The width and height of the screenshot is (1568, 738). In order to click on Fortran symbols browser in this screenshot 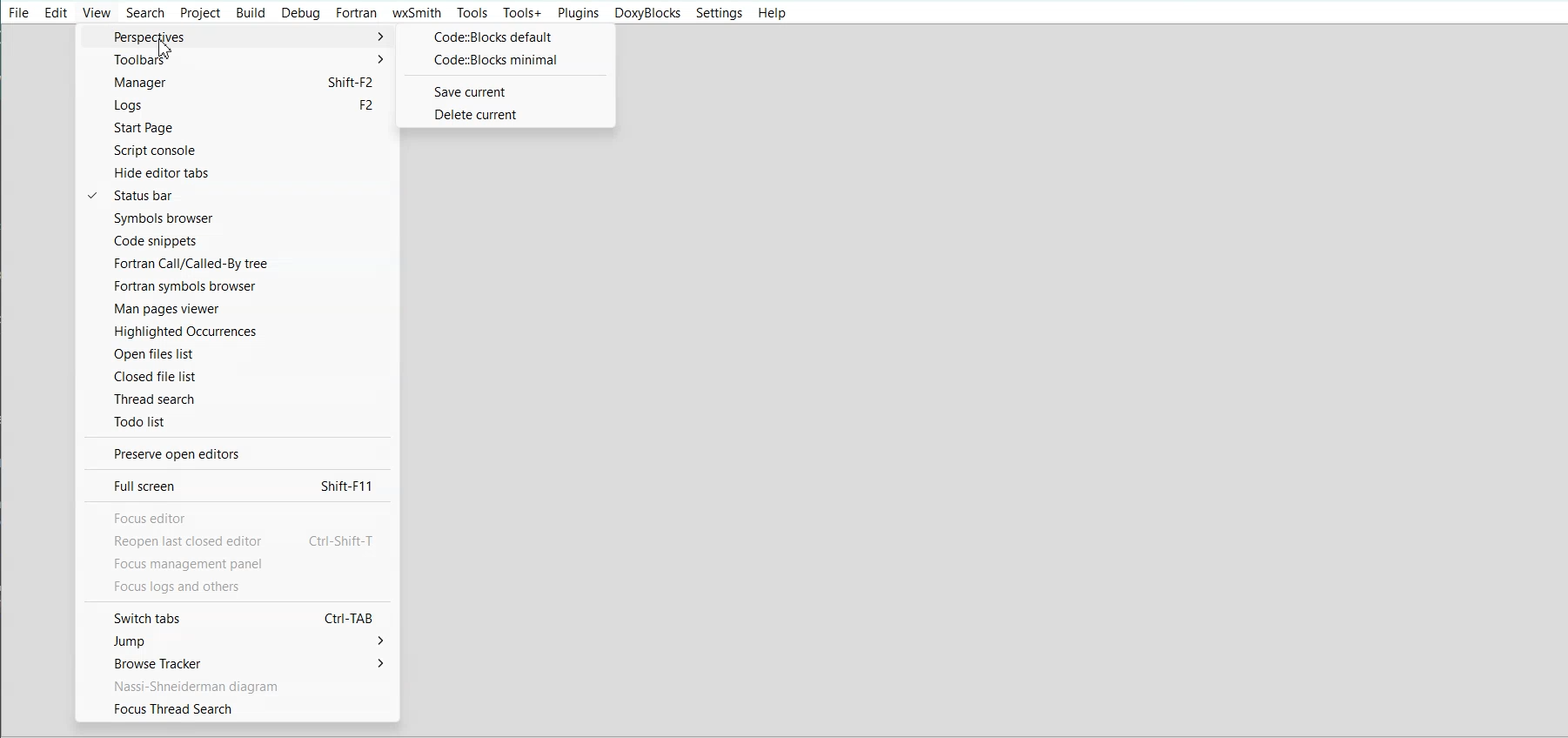, I will do `click(237, 285)`.